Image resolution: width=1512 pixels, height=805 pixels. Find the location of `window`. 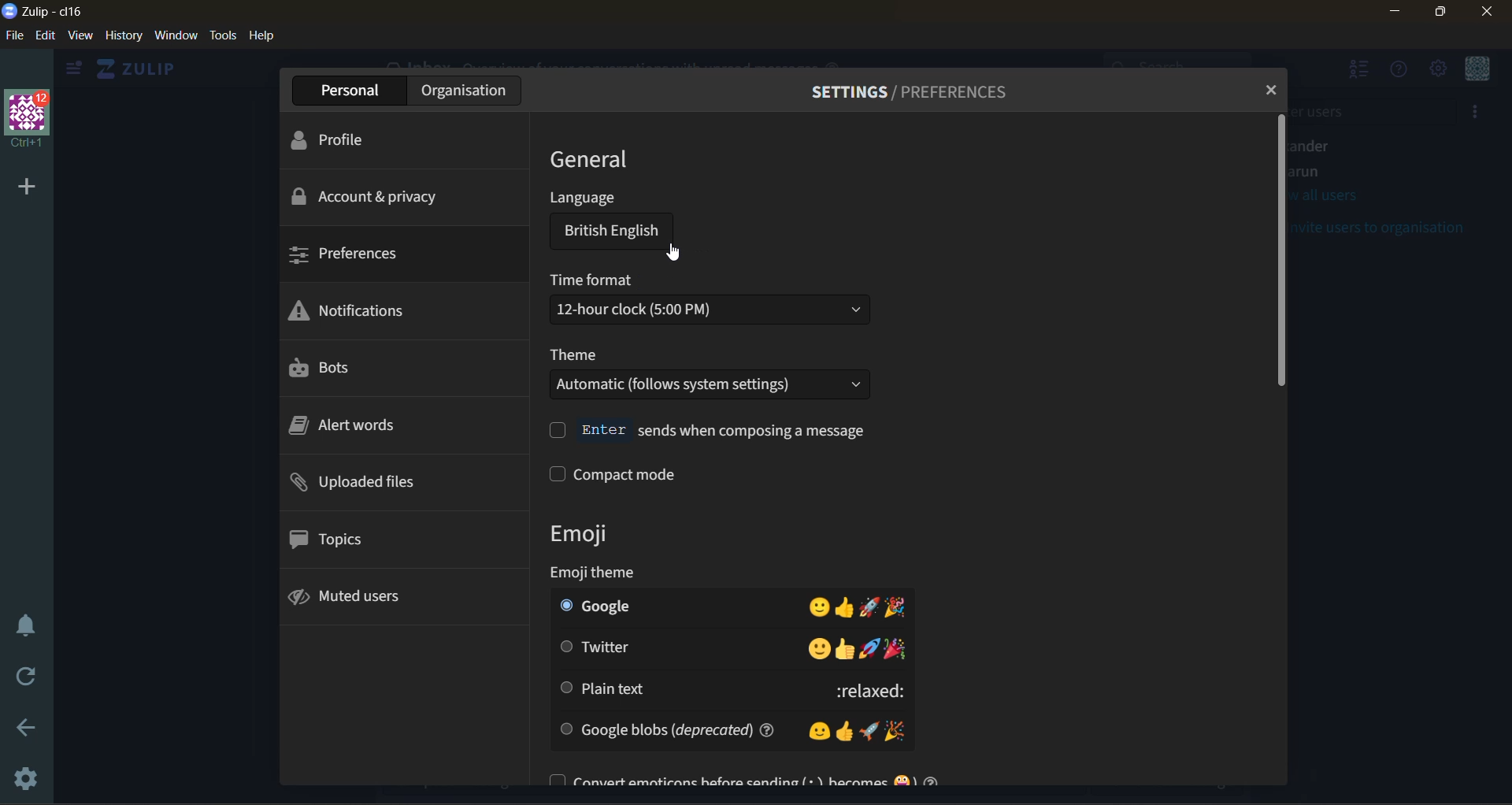

window is located at coordinates (178, 38).